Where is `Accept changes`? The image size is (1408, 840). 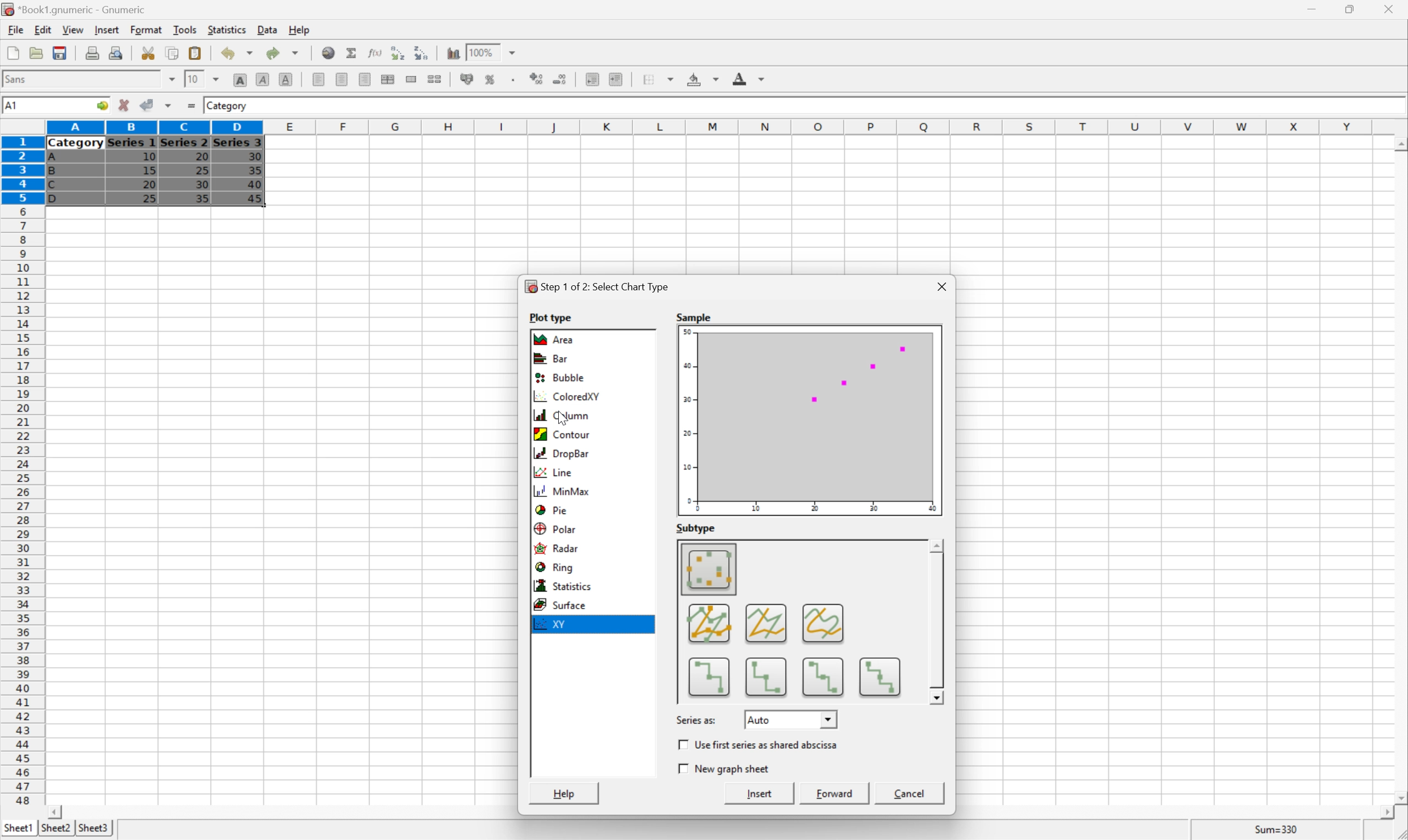
Accept changes is located at coordinates (145, 104).